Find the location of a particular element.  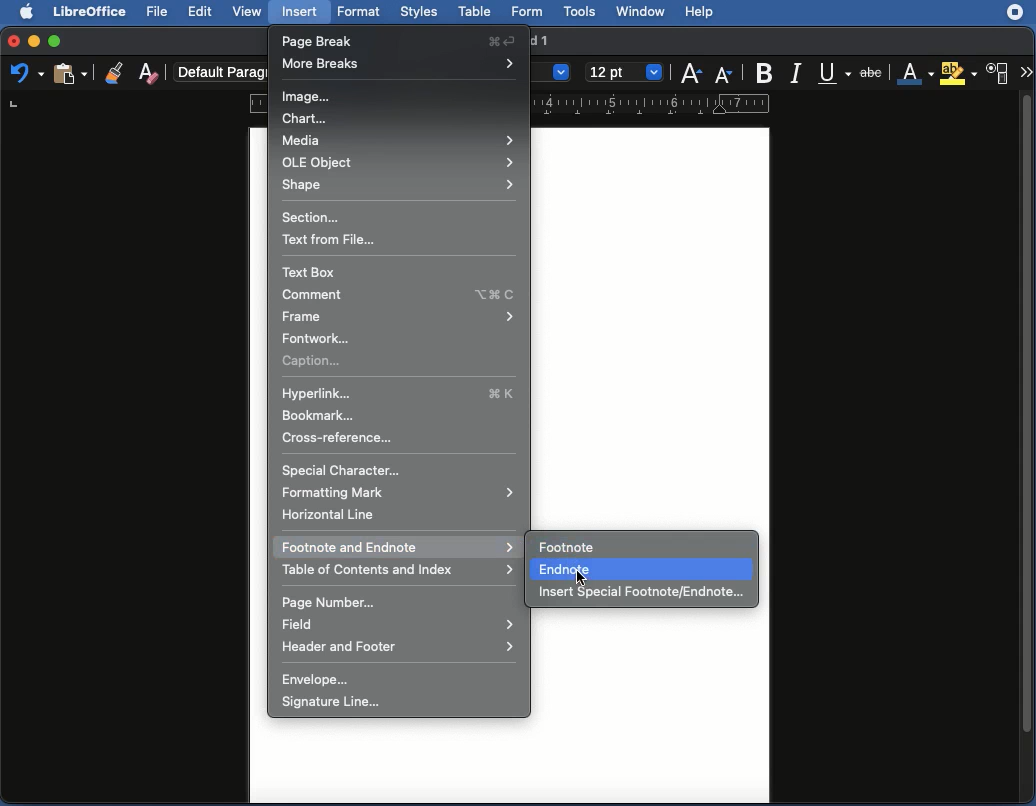

Fontwork is located at coordinates (315, 338).